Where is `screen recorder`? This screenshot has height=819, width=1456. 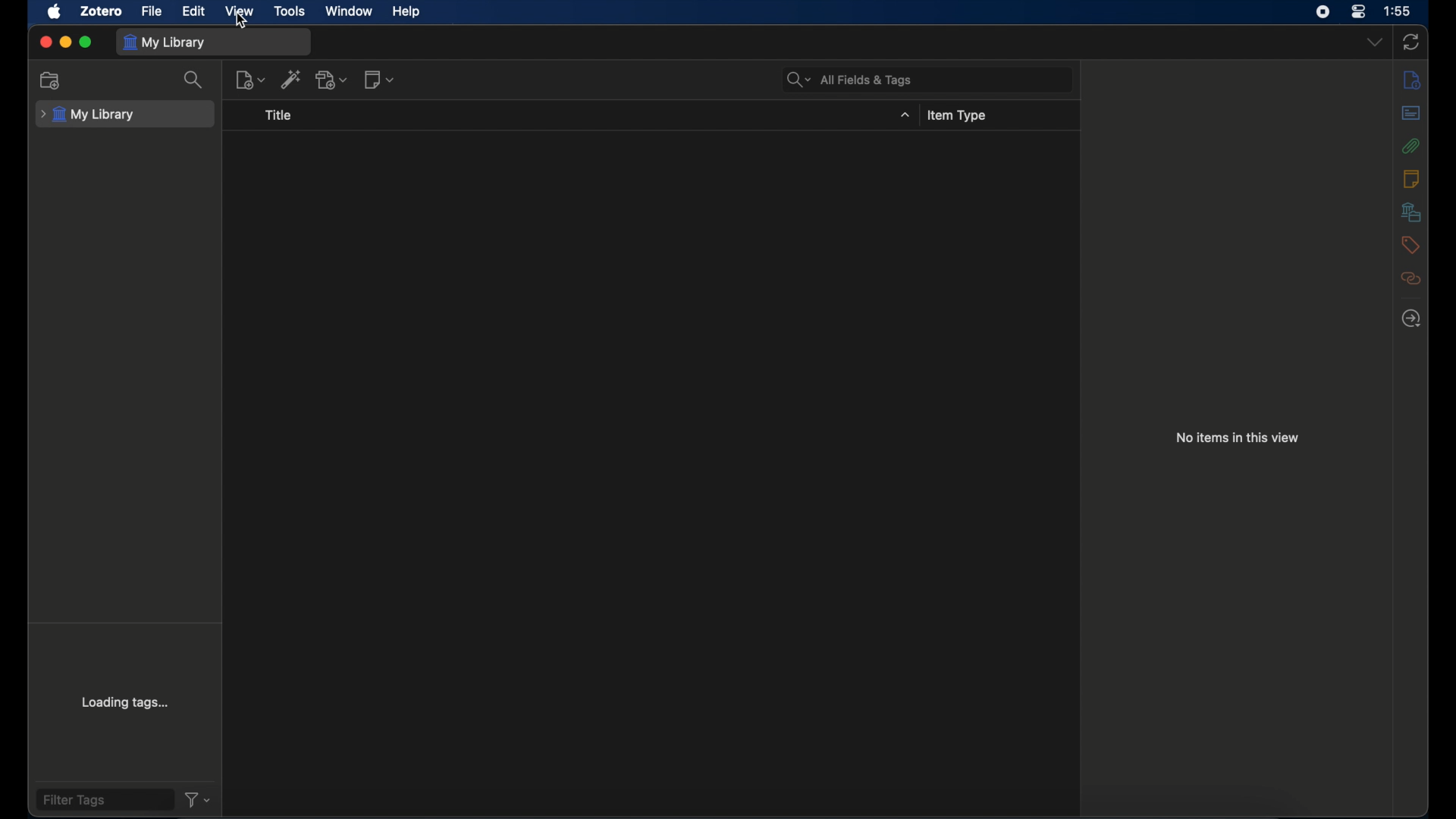 screen recorder is located at coordinates (1323, 12).